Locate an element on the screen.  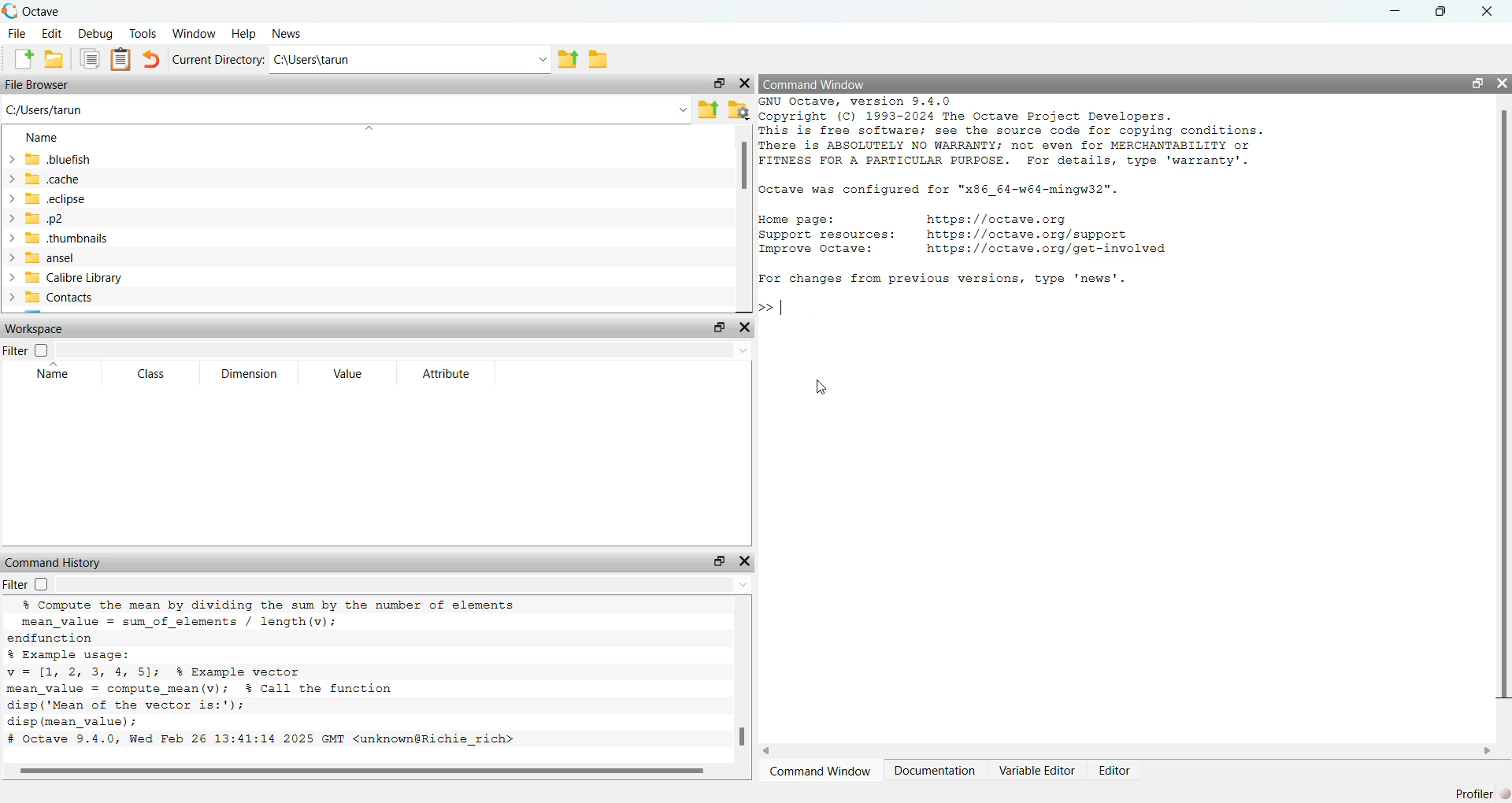
Command Window is located at coordinates (816, 84).